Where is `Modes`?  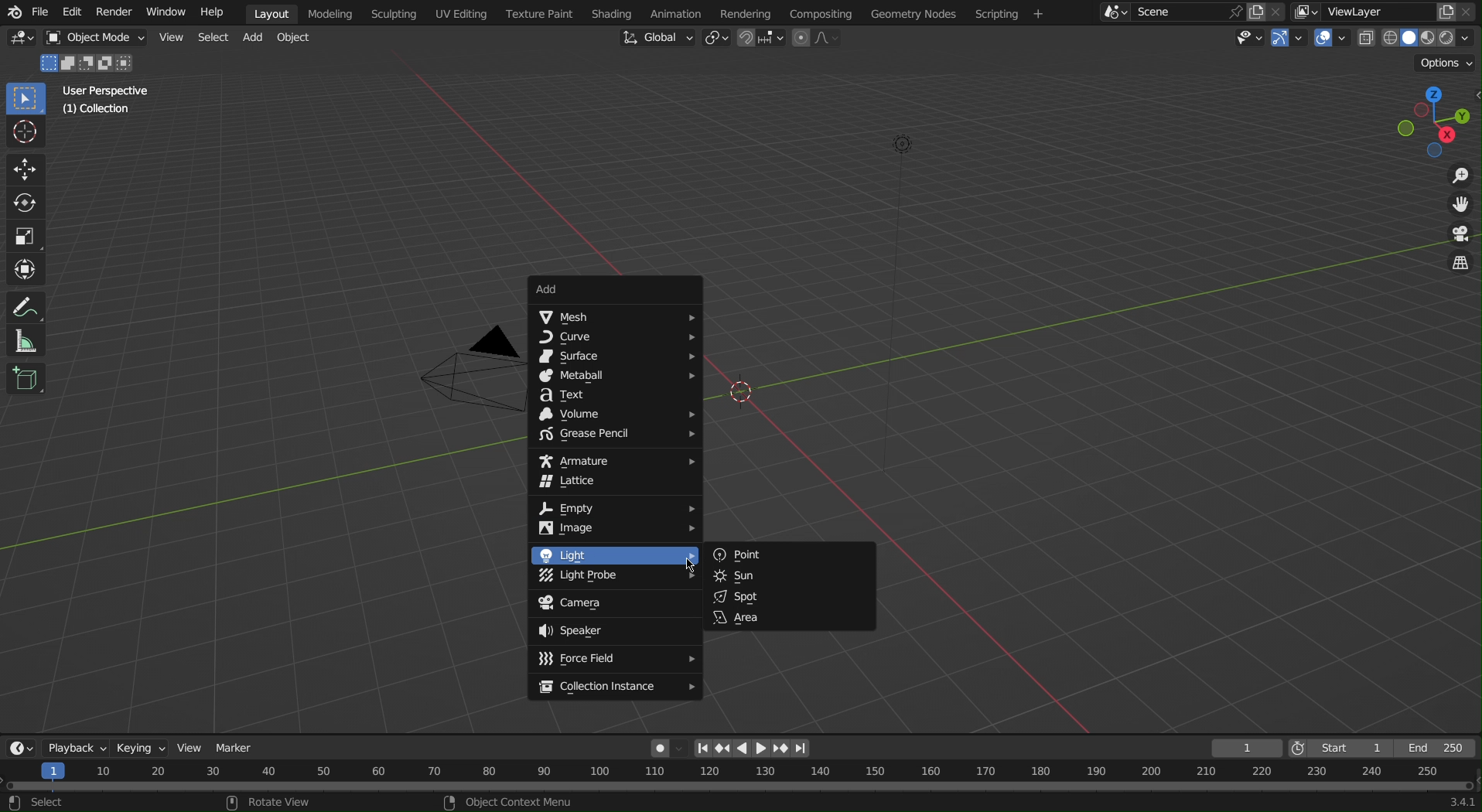
Modes is located at coordinates (91, 62).